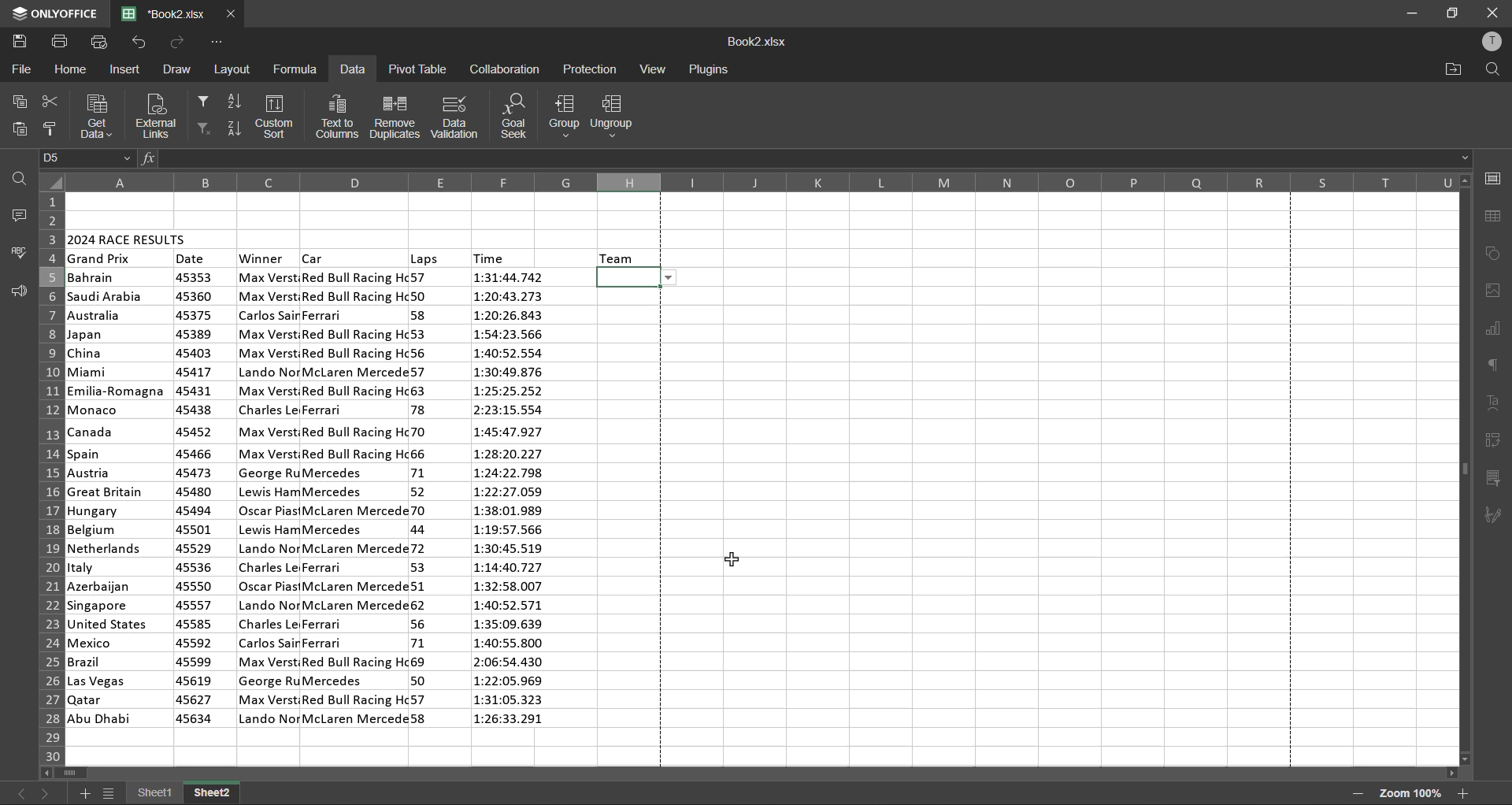 The image size is (1512, 805). What do you see at coordinates (1492, 178) in the screenshot?
I see `cell settings` at bounding box center [1492, 178].